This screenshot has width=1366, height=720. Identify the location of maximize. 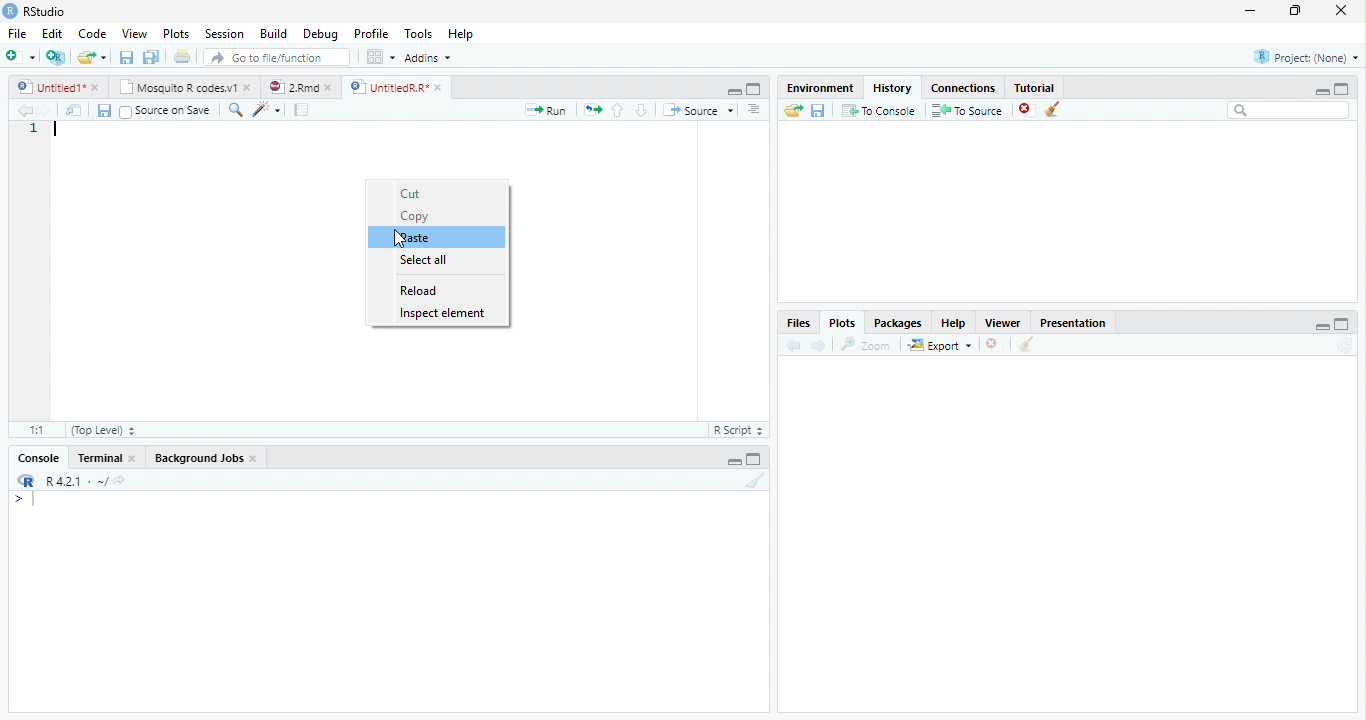
(1342, 88).